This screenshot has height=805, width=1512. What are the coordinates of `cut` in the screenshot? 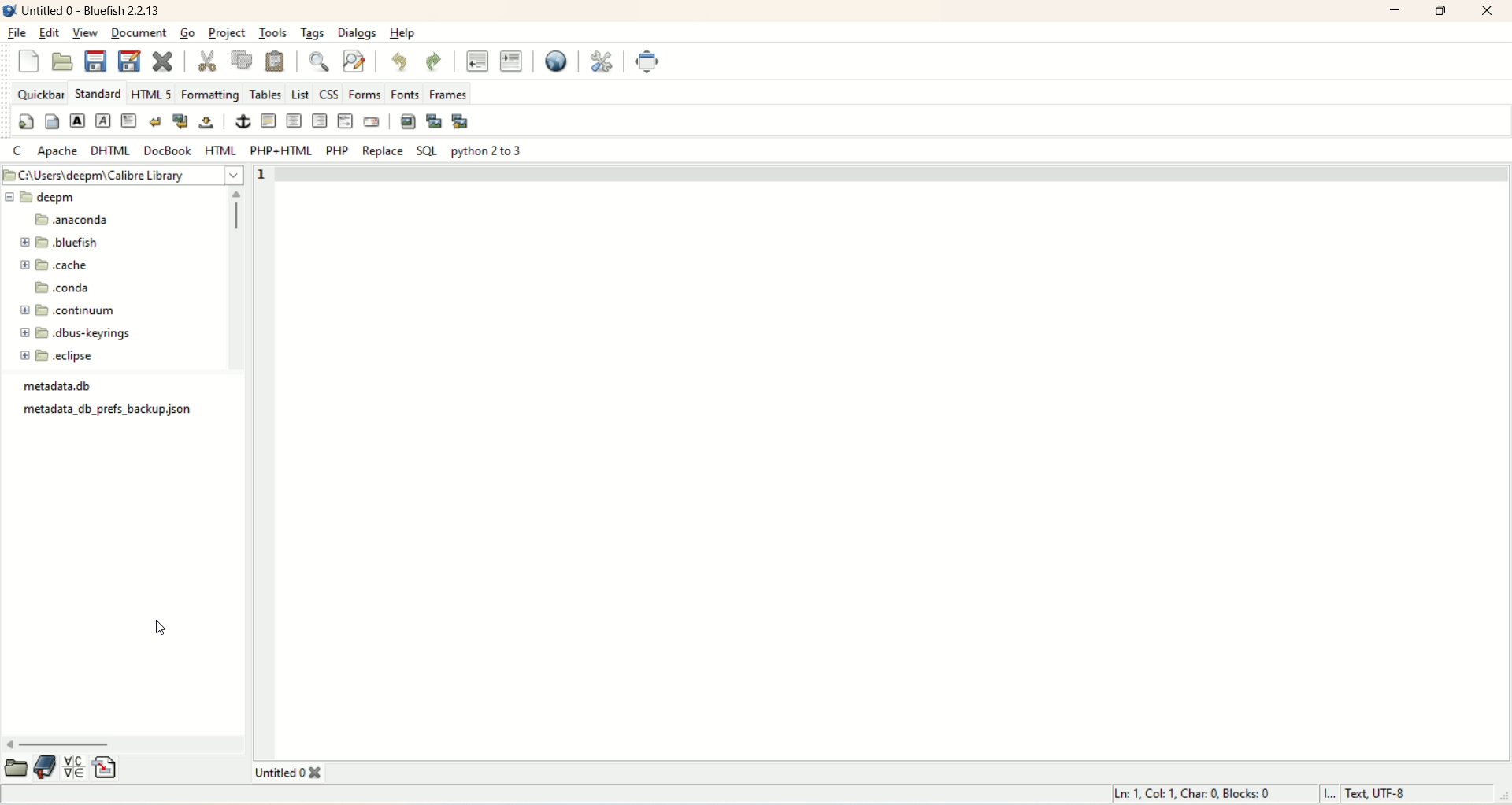 It's located at (207, 59).